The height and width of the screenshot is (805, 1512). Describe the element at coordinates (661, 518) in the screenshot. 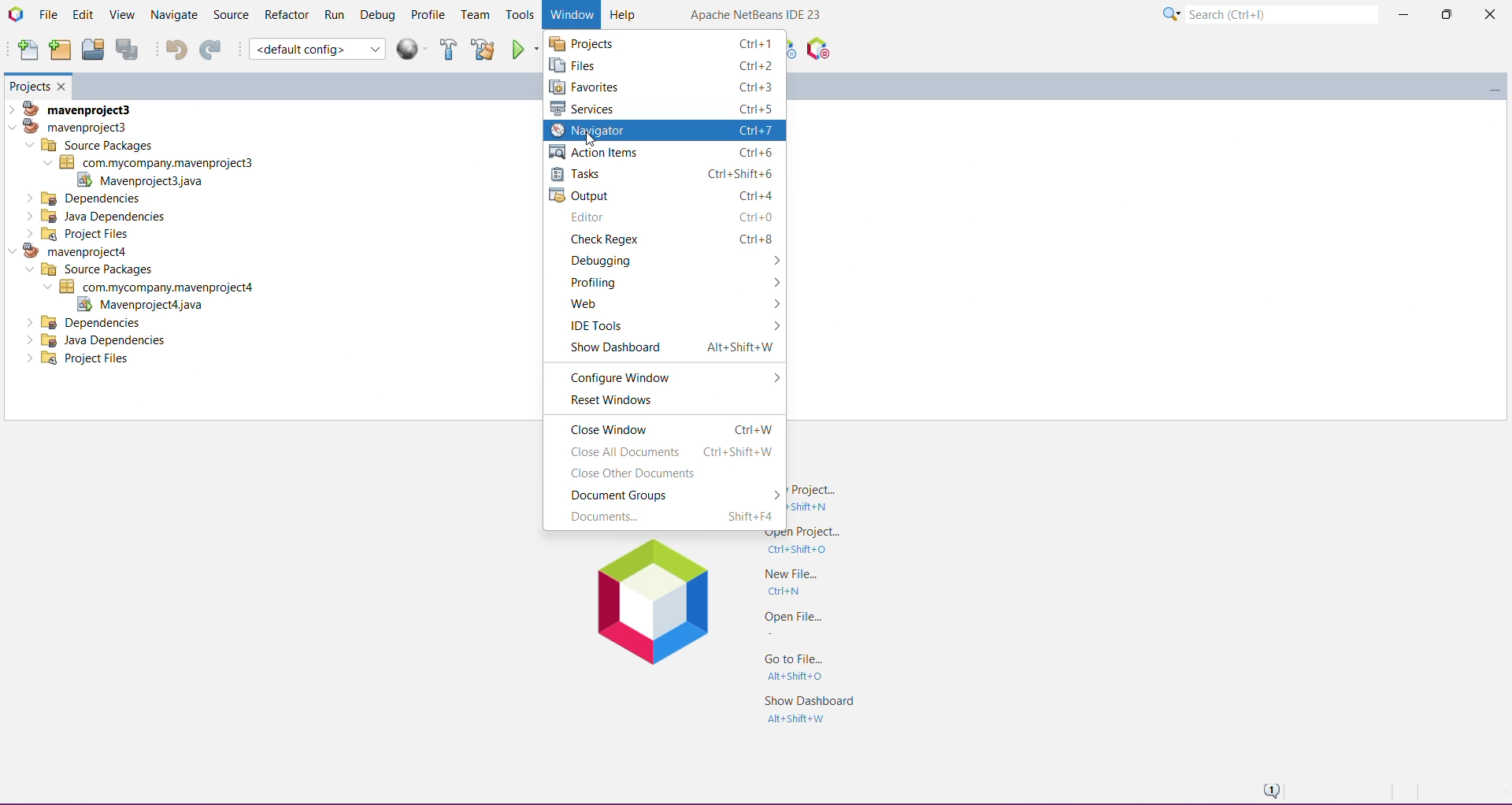

I see `Documents` at that location.